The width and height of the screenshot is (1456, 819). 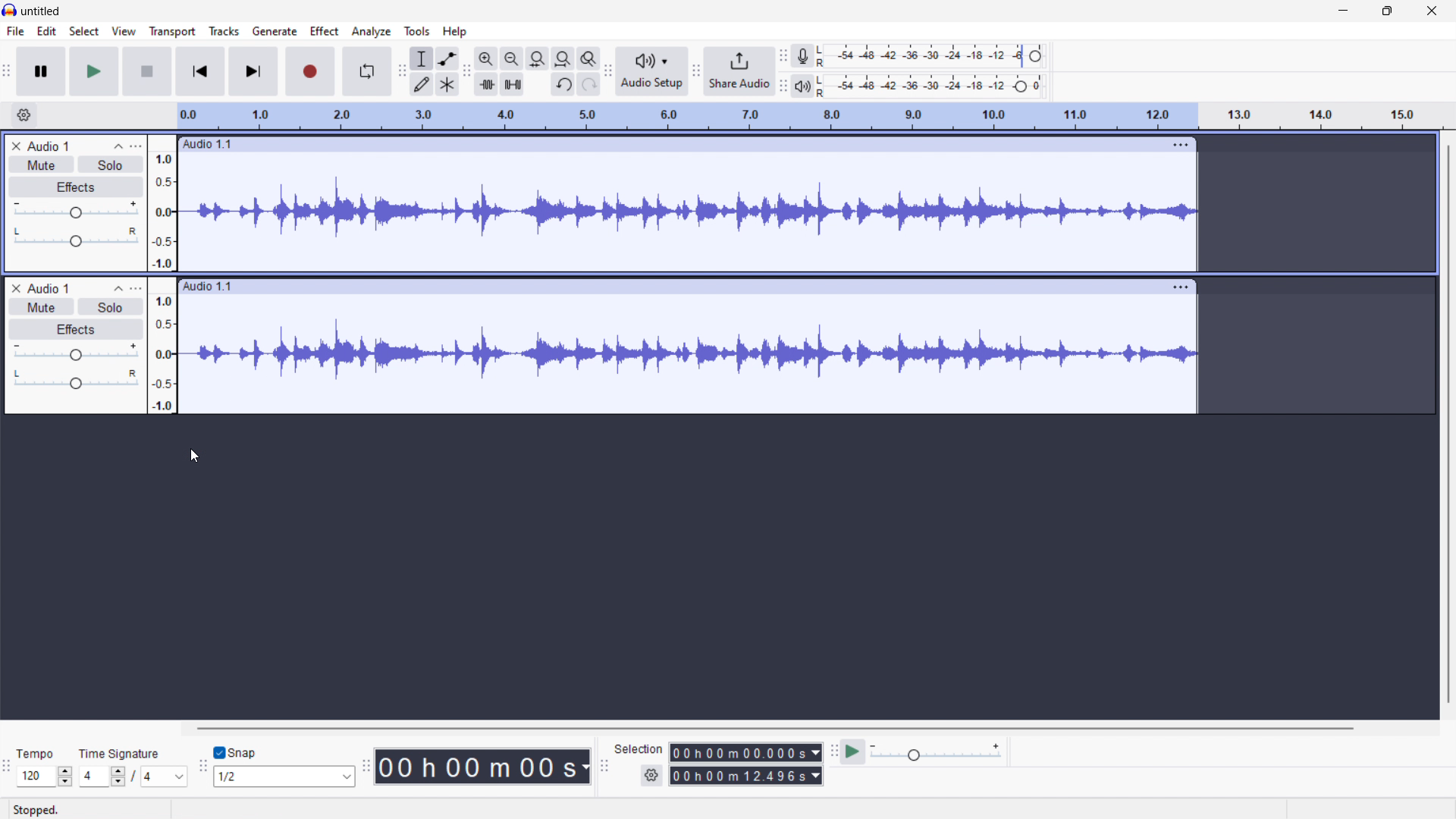 I want to click on timeline, so click(x=810, y=117).